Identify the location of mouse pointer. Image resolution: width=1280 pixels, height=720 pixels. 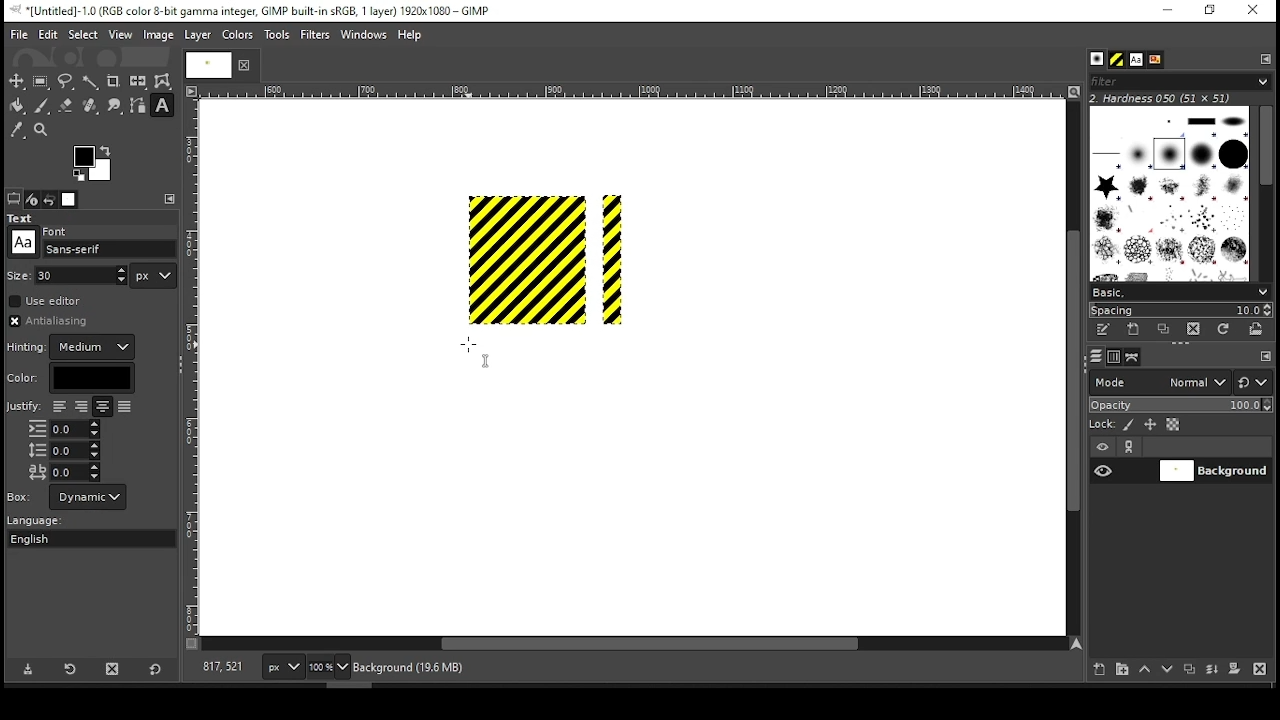
(475, 346).